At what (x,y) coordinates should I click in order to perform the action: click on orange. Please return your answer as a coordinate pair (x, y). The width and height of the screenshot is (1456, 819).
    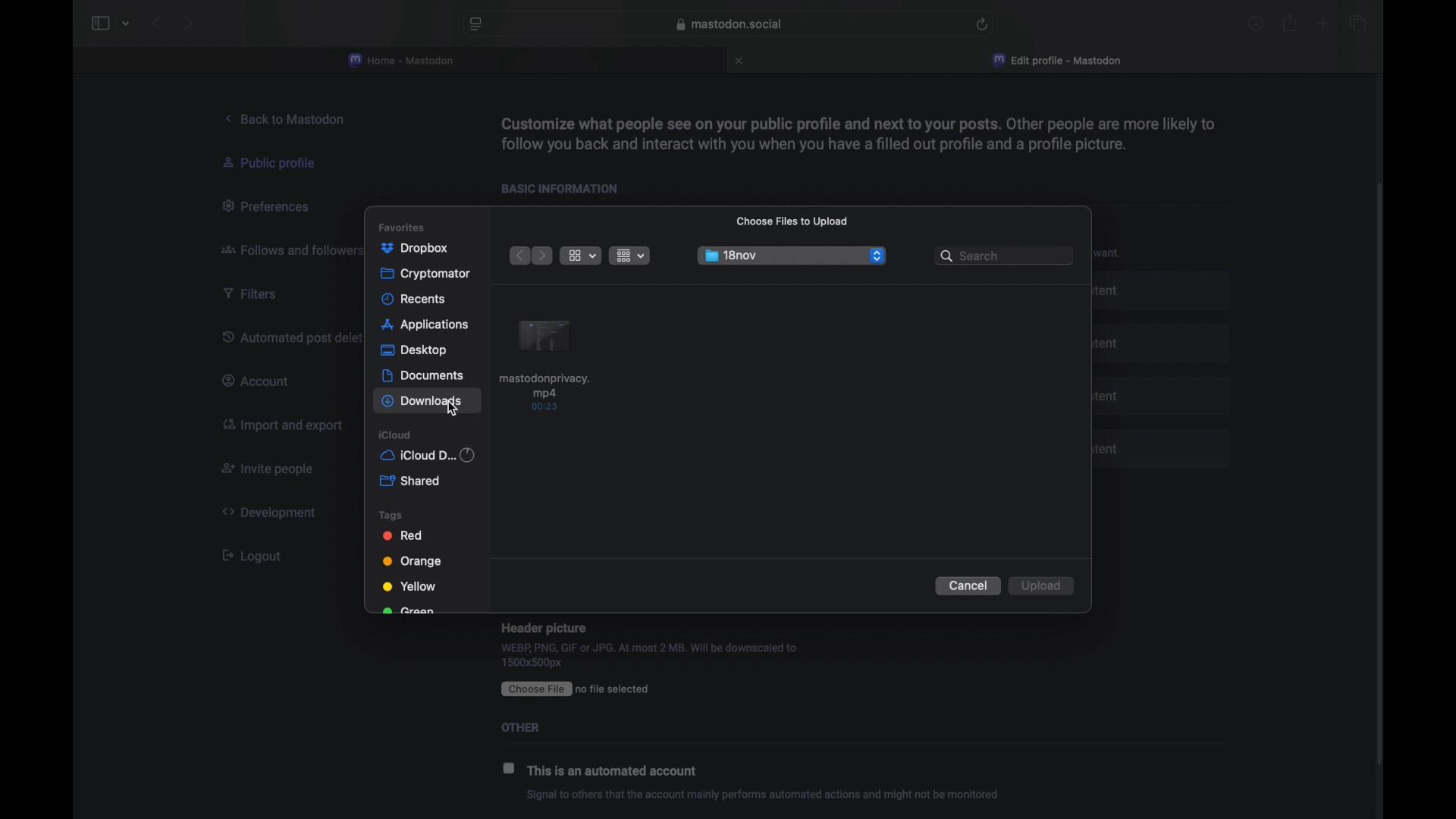
    Looking at the image, I should click on (411, 563).